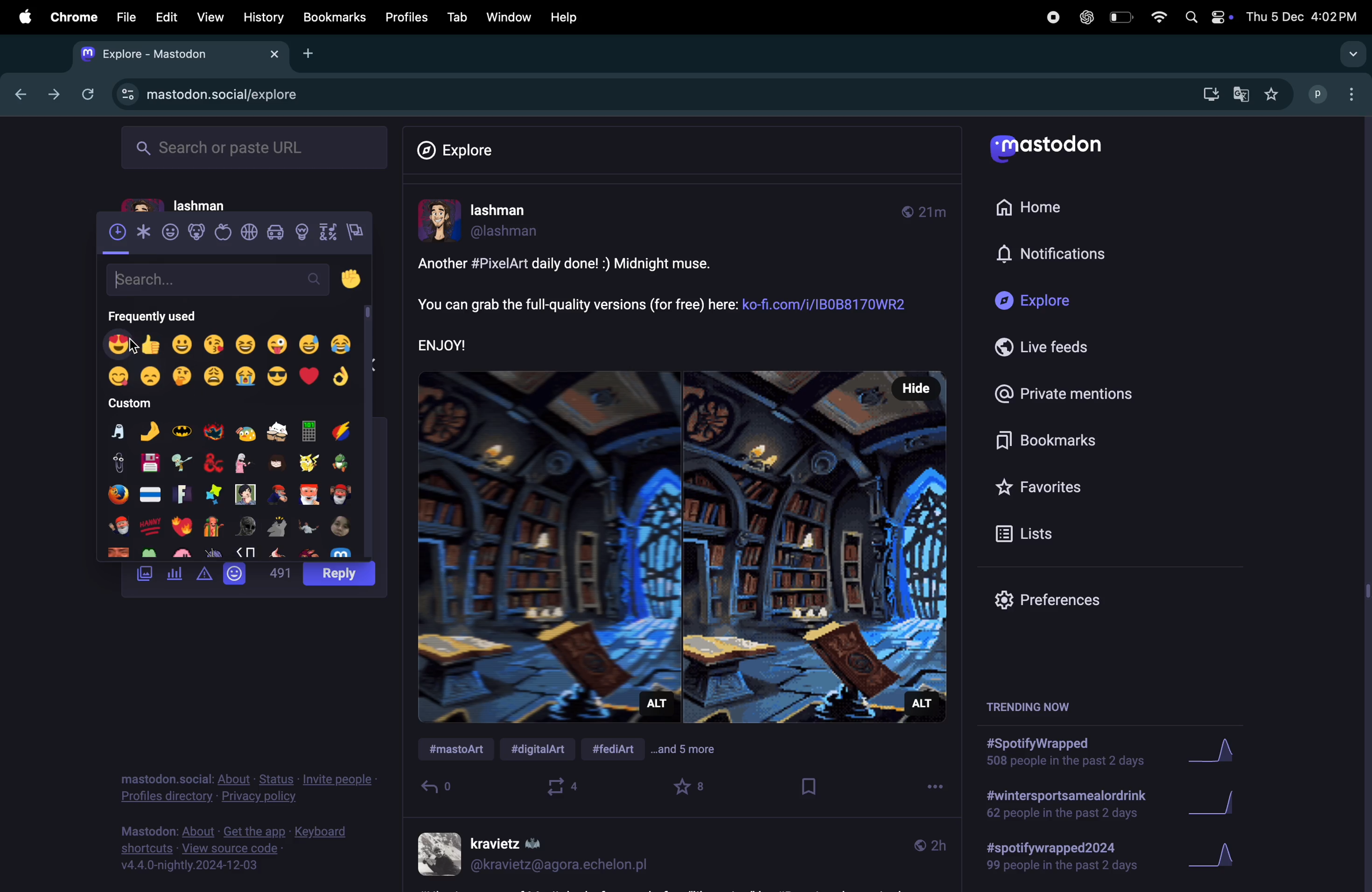 The height and width of the screenshot is (892, 1372). What do you see at coordinates (243, 850) in the screenshot?
I see `view source code` at bounding box center [243, 850].